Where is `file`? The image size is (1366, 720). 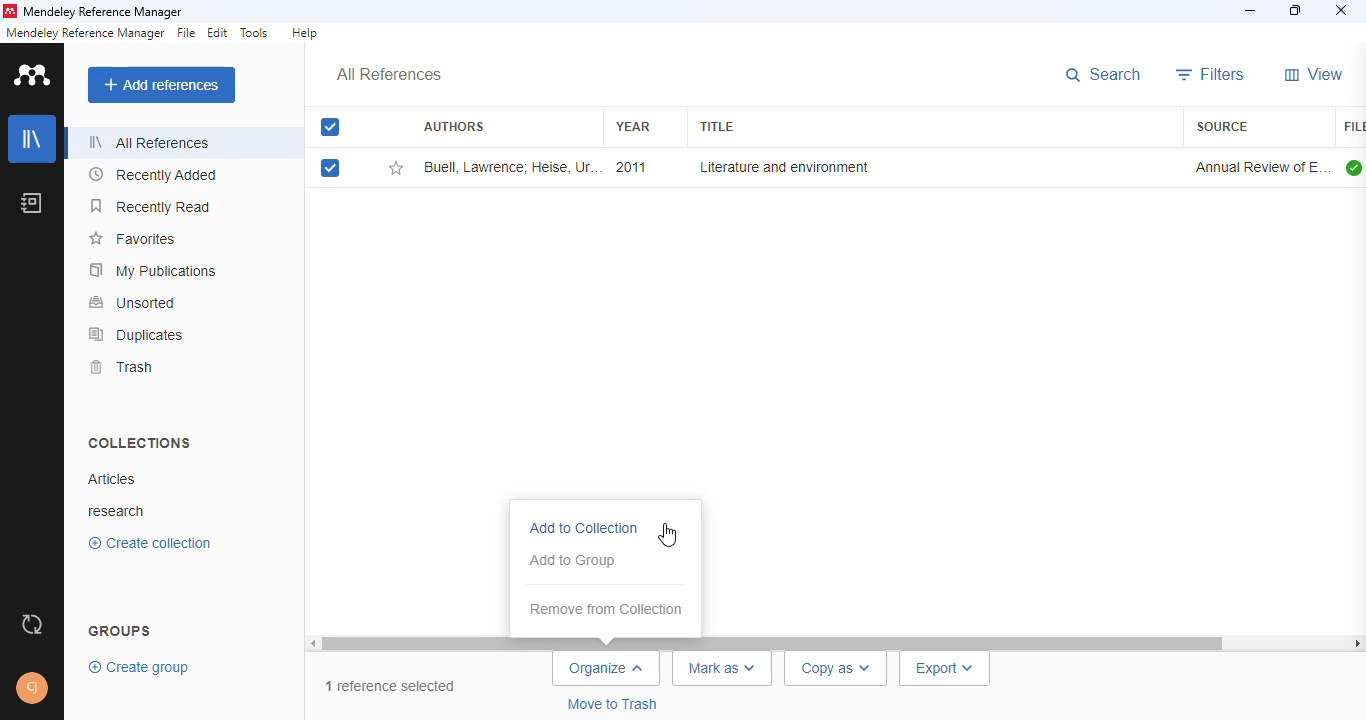
file is located at coordinates (1353, 127).